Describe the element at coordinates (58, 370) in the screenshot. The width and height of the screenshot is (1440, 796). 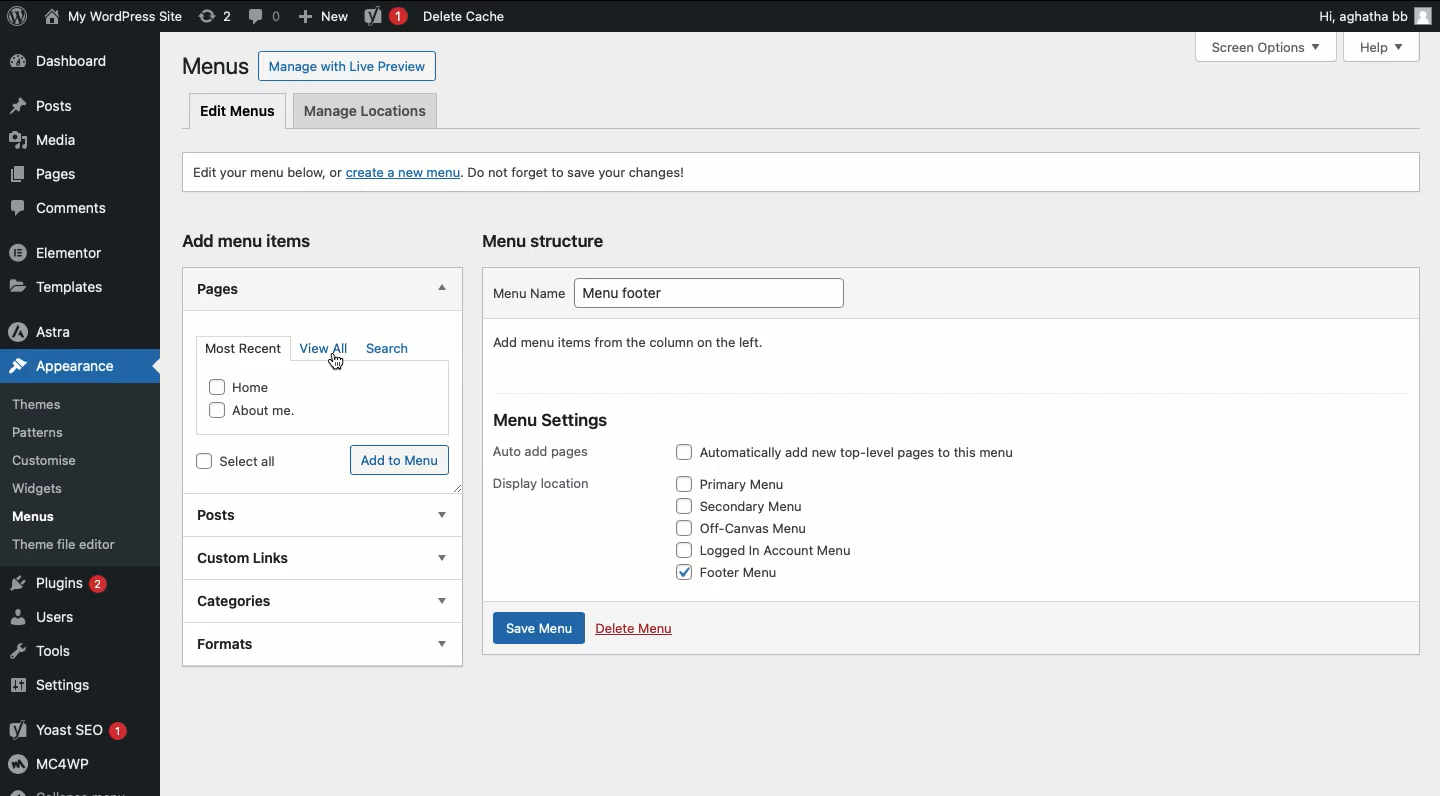
I see `Appearance` at that location.